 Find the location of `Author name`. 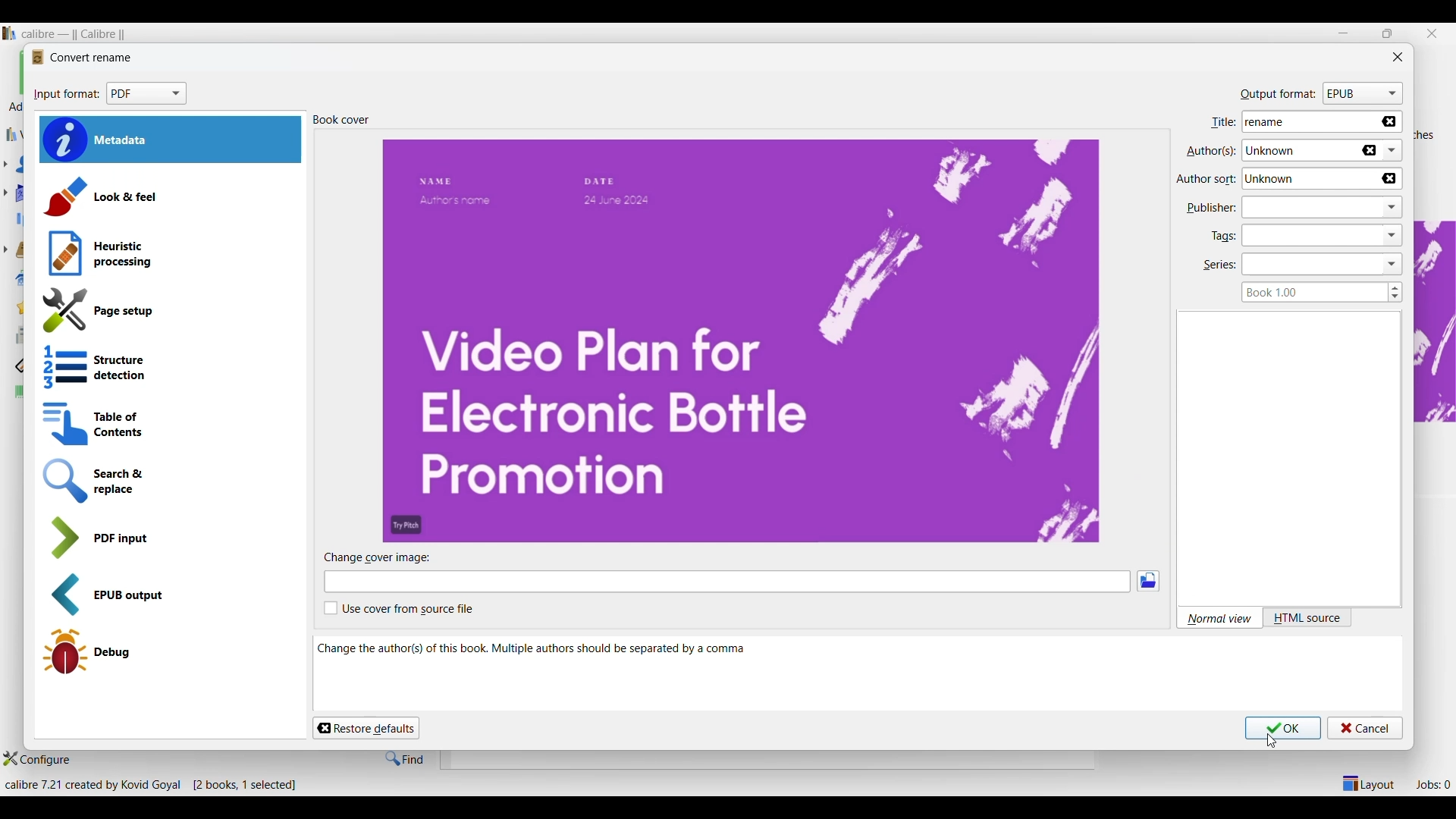

Author name is located at coordinates (1299, 149).